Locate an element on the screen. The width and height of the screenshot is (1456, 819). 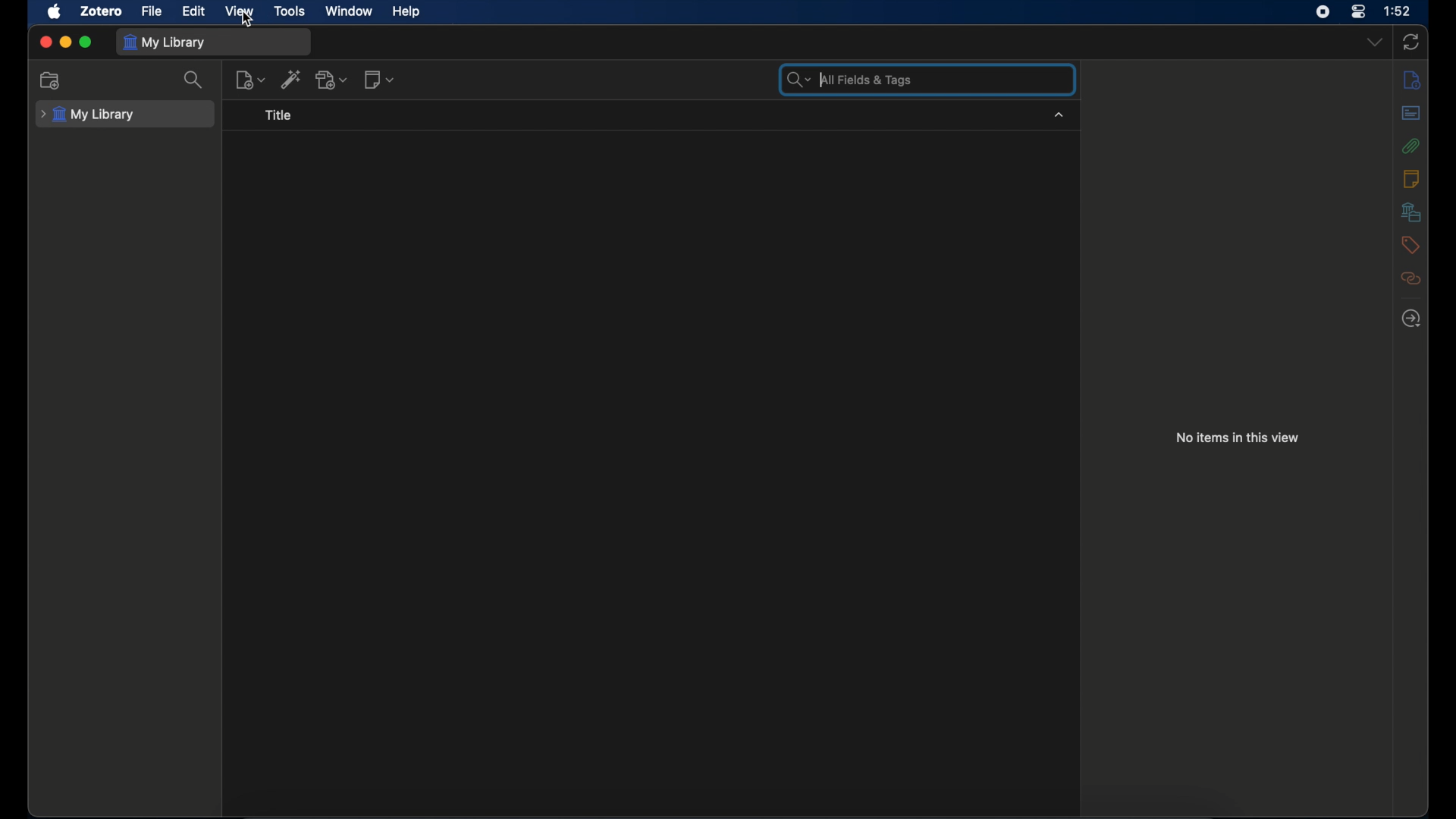
dropdown is located at coordinates (1059, 115).